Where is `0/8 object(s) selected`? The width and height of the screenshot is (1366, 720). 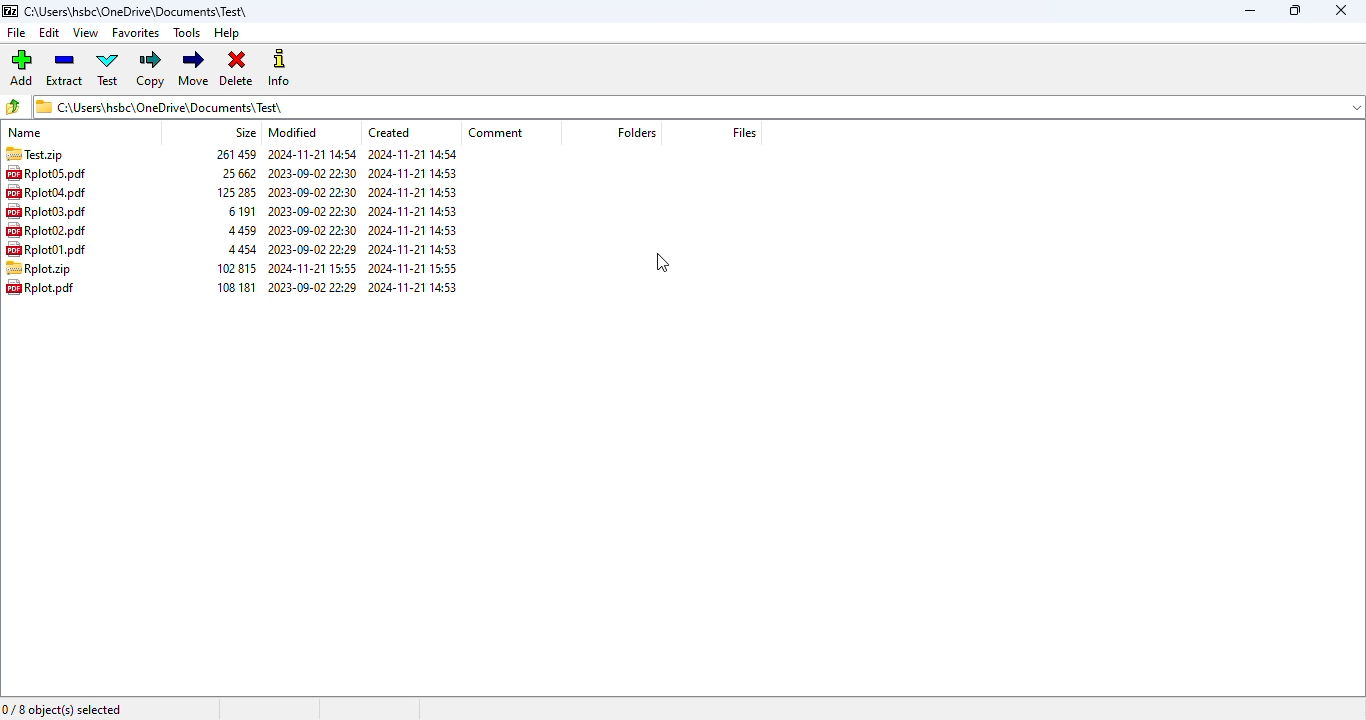 0/8 object(s) selected is located at coordinates (62, 709).